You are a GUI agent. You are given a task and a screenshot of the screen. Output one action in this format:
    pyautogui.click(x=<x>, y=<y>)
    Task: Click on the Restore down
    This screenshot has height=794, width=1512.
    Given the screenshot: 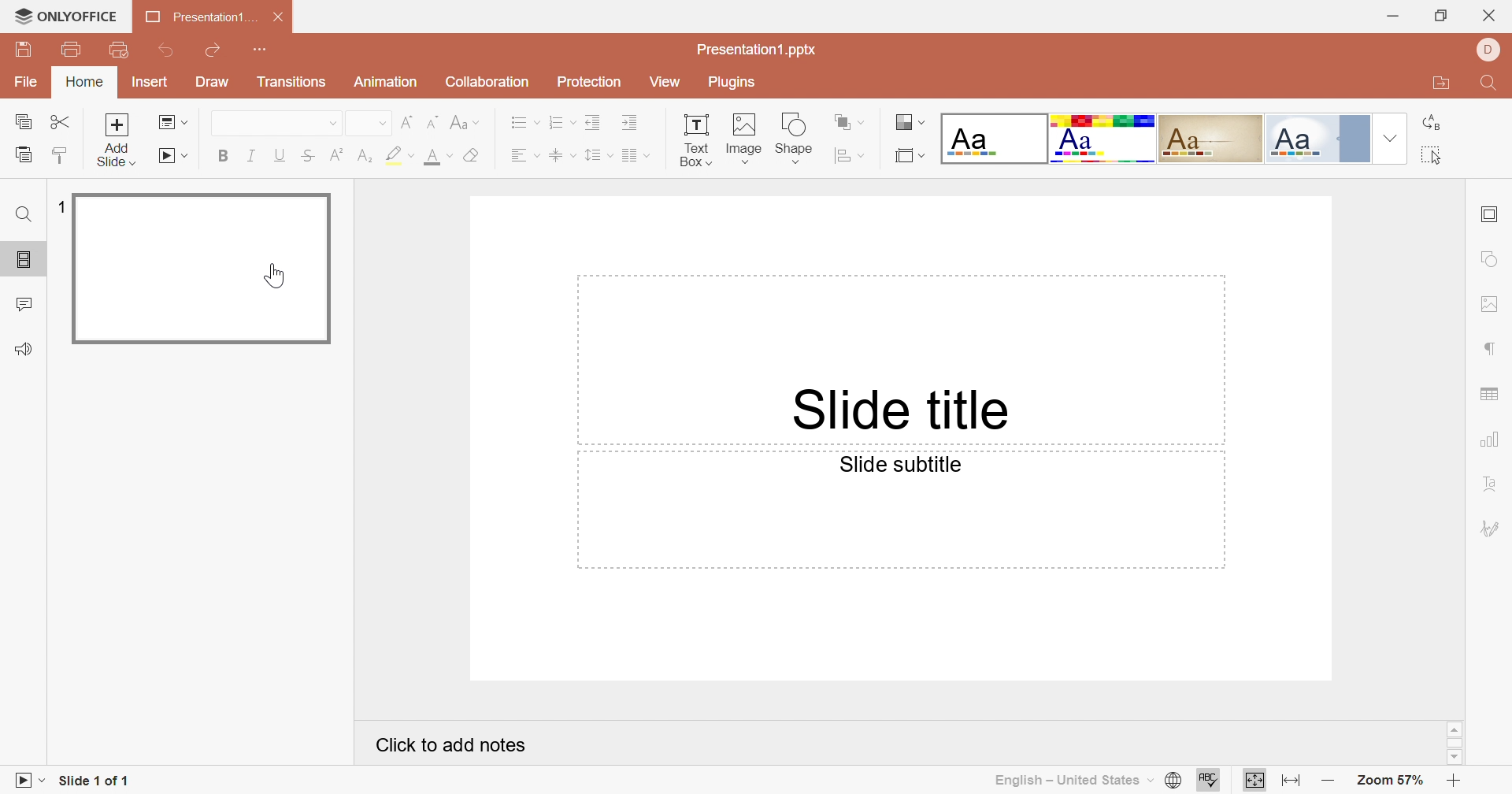 What is the action you would take?
    pyautogui.click(x=1444, y=15)
    